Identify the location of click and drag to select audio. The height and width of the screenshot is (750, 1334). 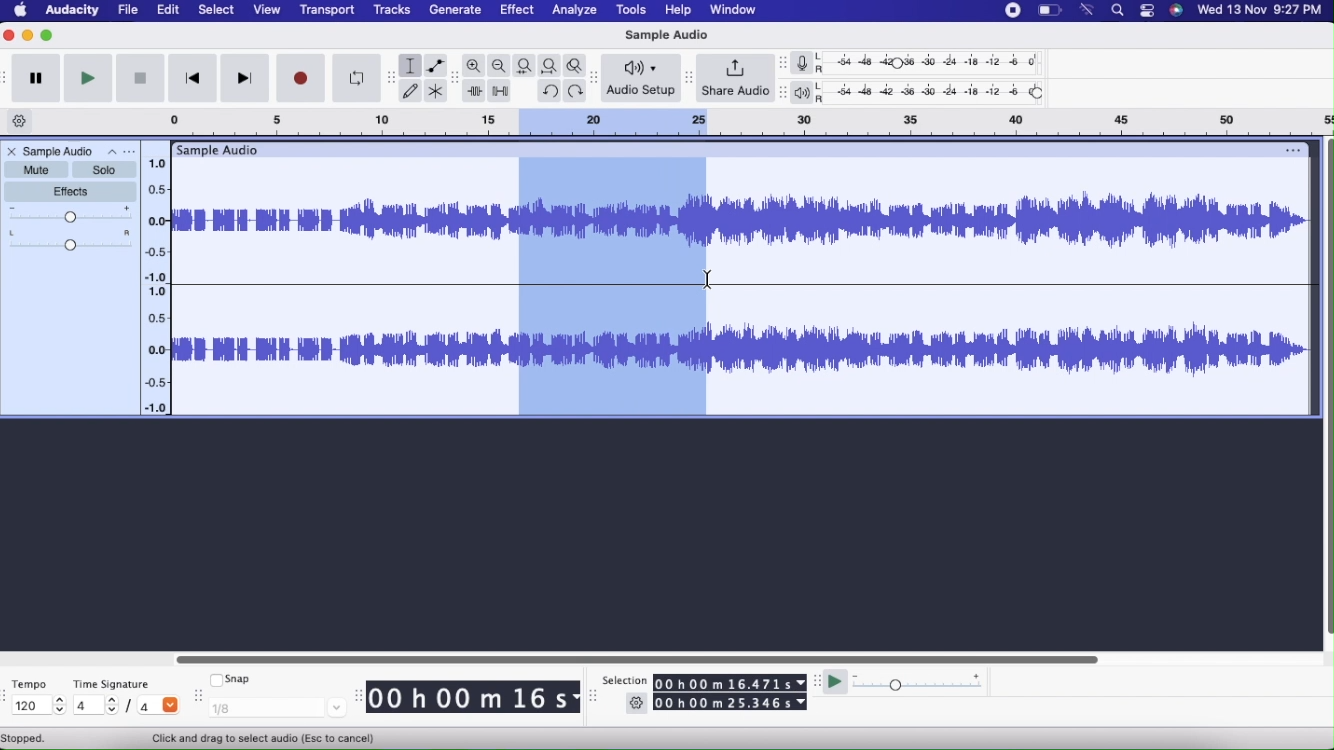
(263, 737).